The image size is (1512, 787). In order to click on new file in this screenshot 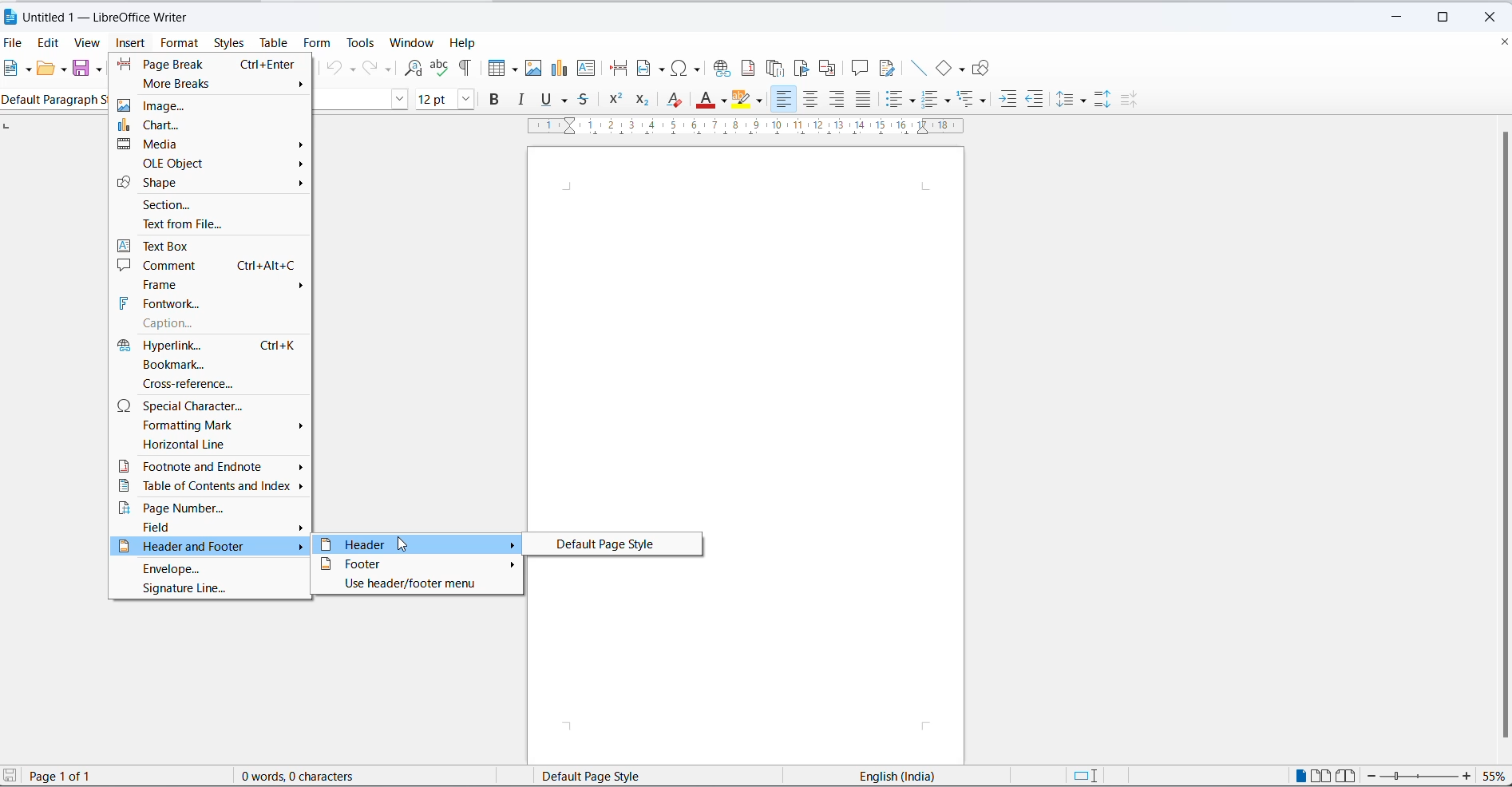, I will do `click(10, 69)`.